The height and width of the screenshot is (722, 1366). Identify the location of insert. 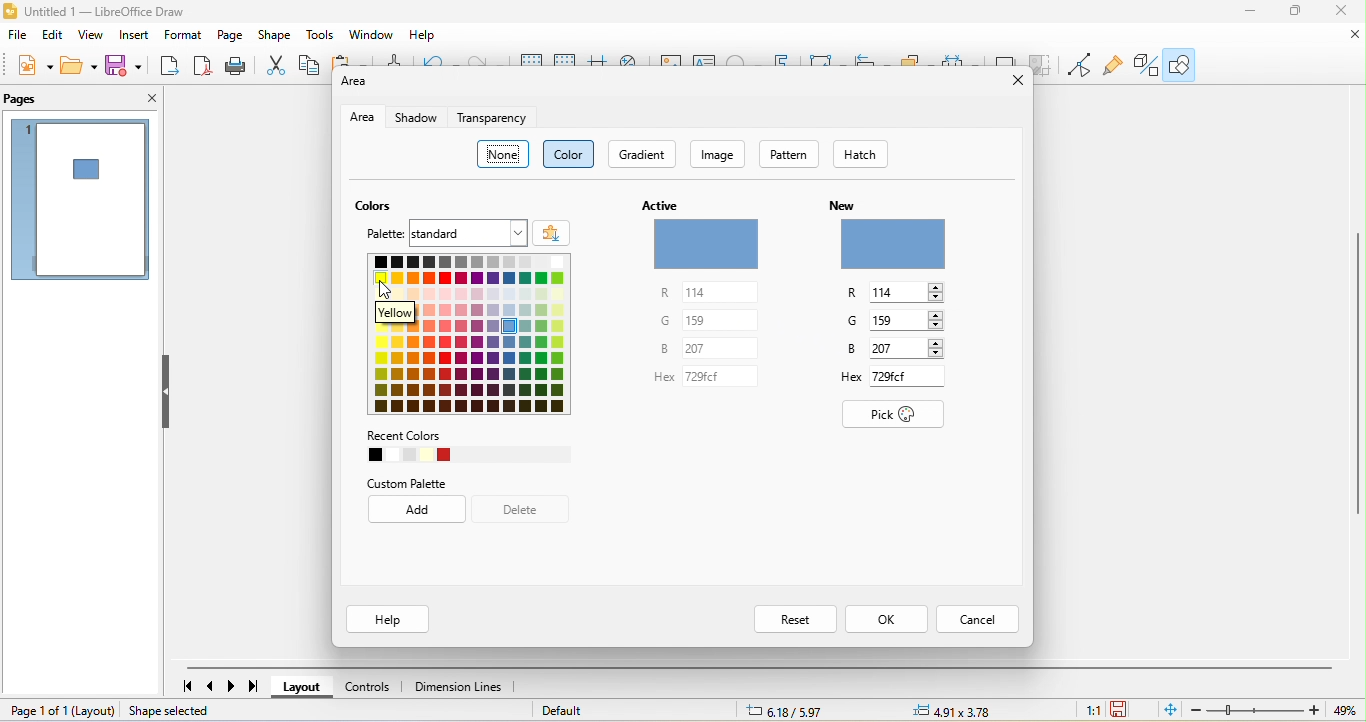
(134, 38).